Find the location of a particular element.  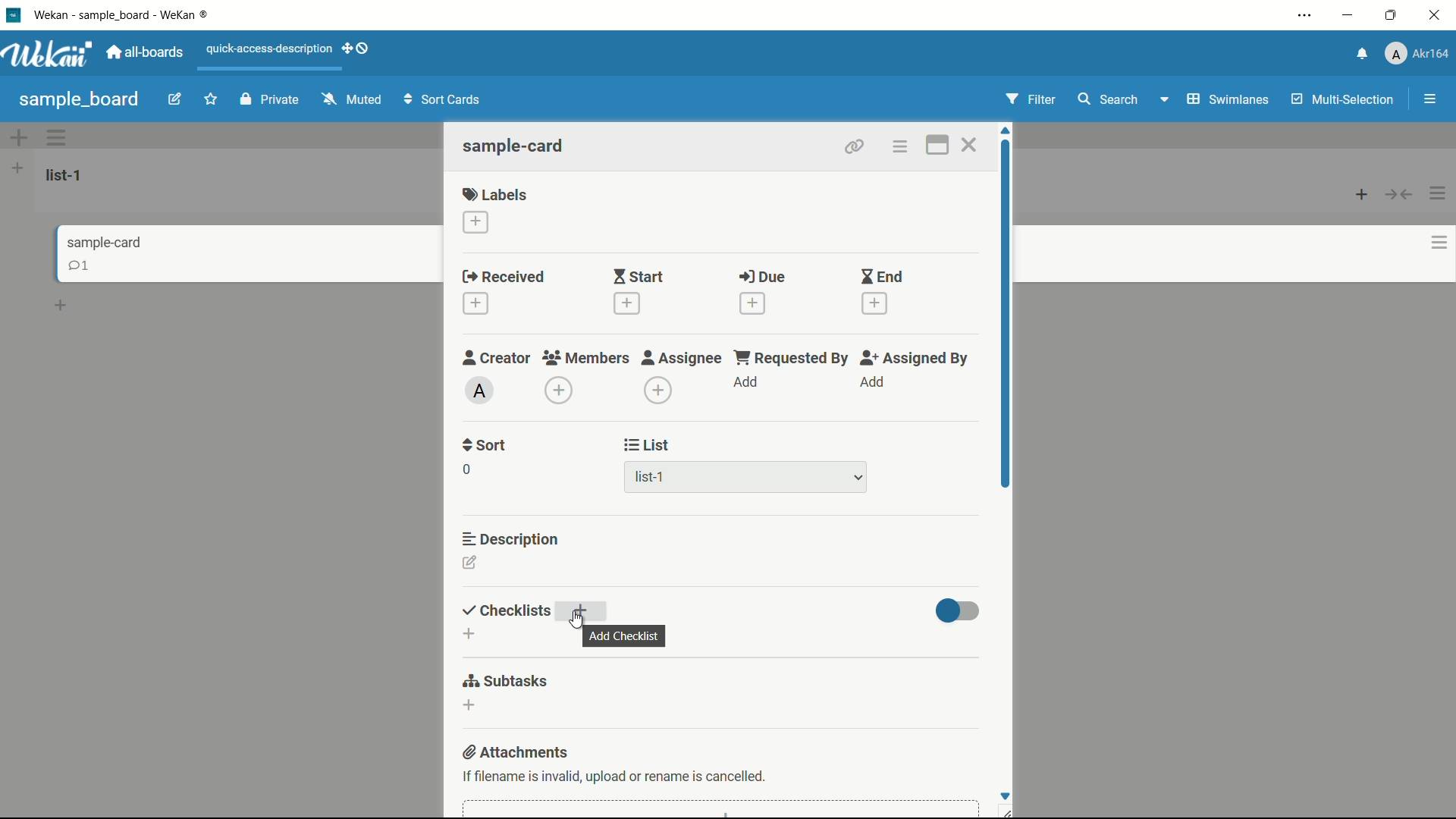

sample-card is located at coordinates (515, 146).